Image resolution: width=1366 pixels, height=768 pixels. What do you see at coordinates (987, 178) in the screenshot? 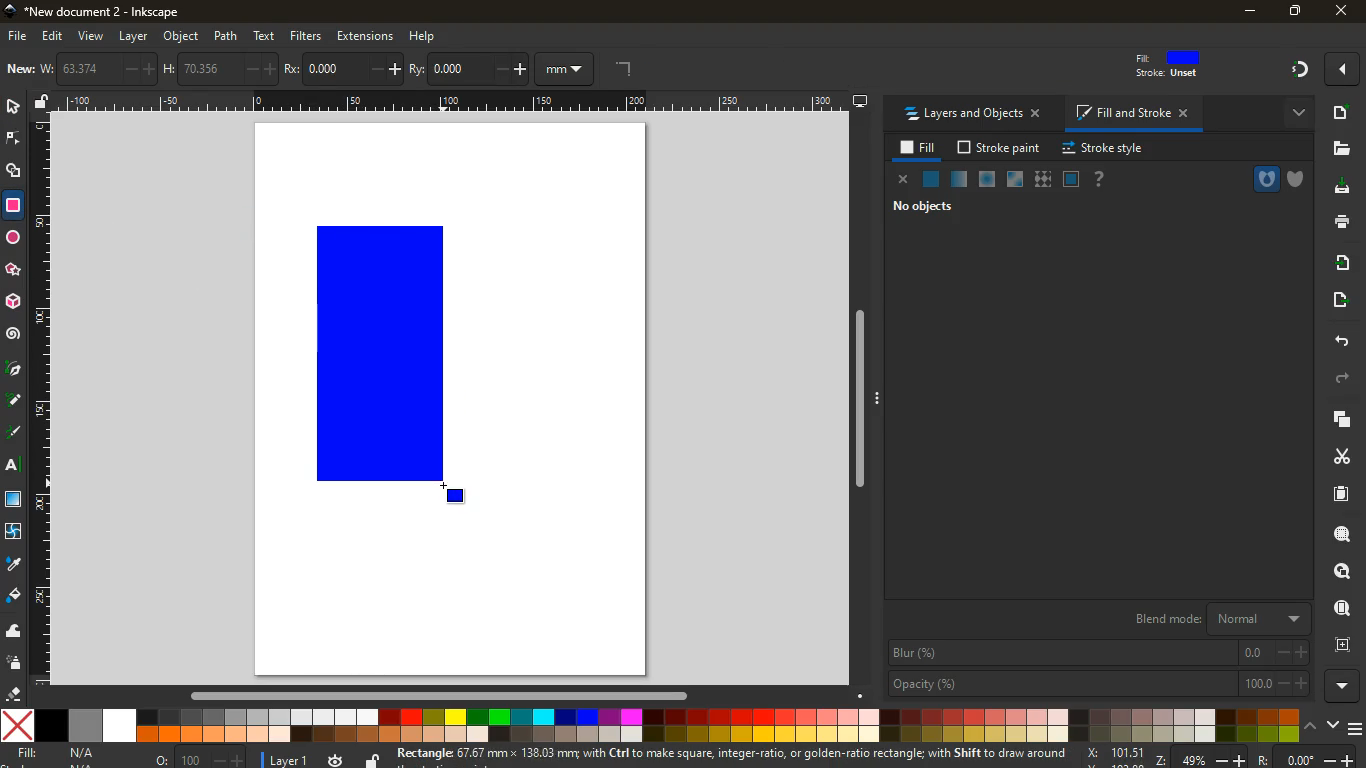
I see `ice` at bounding box center [987, 178].